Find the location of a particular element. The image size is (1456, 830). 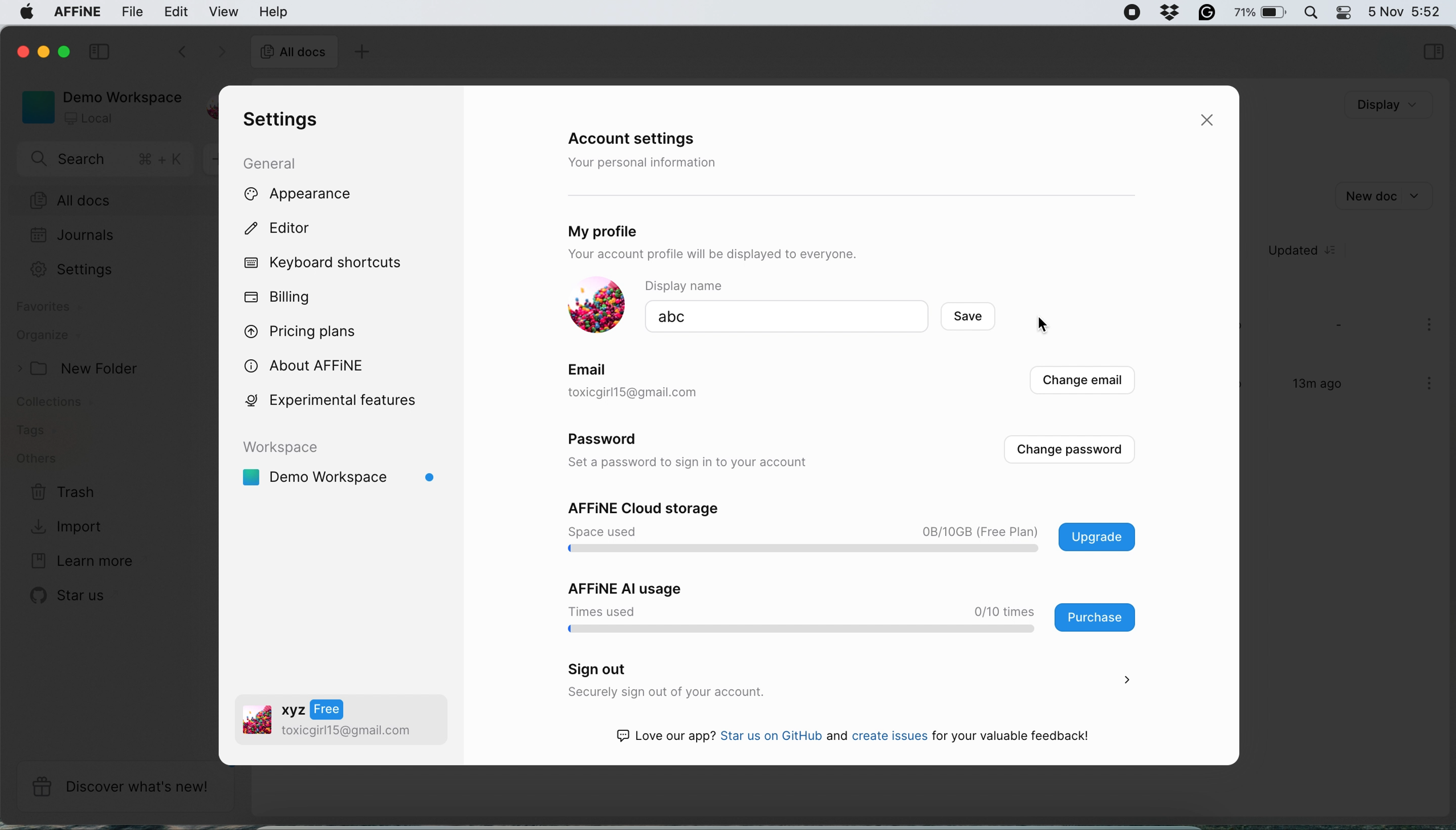

organize is located at coordinates (48, 337).